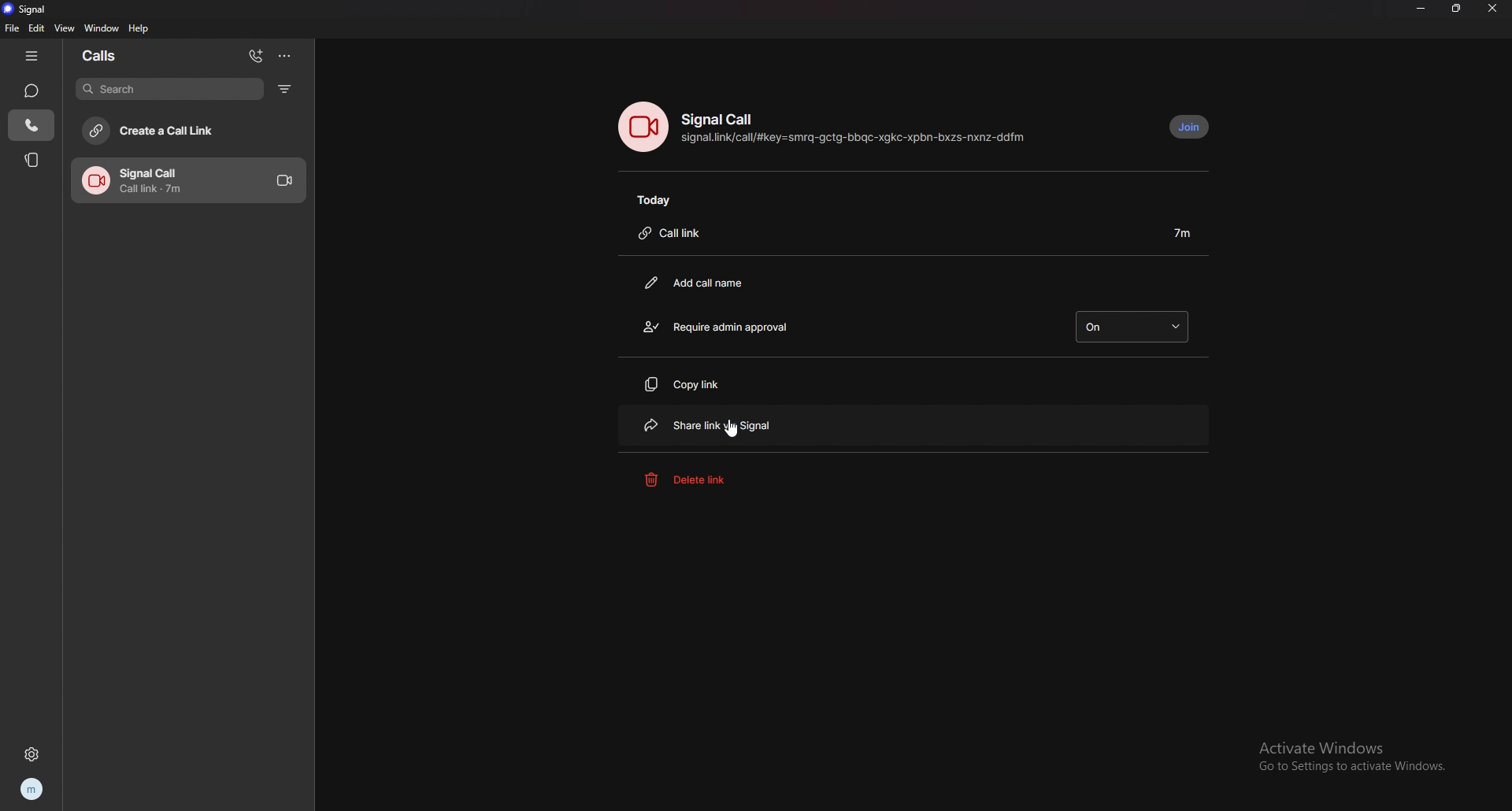 Image resolution: width=1512 pixels, height=811 pixels. Describe the element at coordinates (661, 200) in the screenshot. I see `today` at that location.